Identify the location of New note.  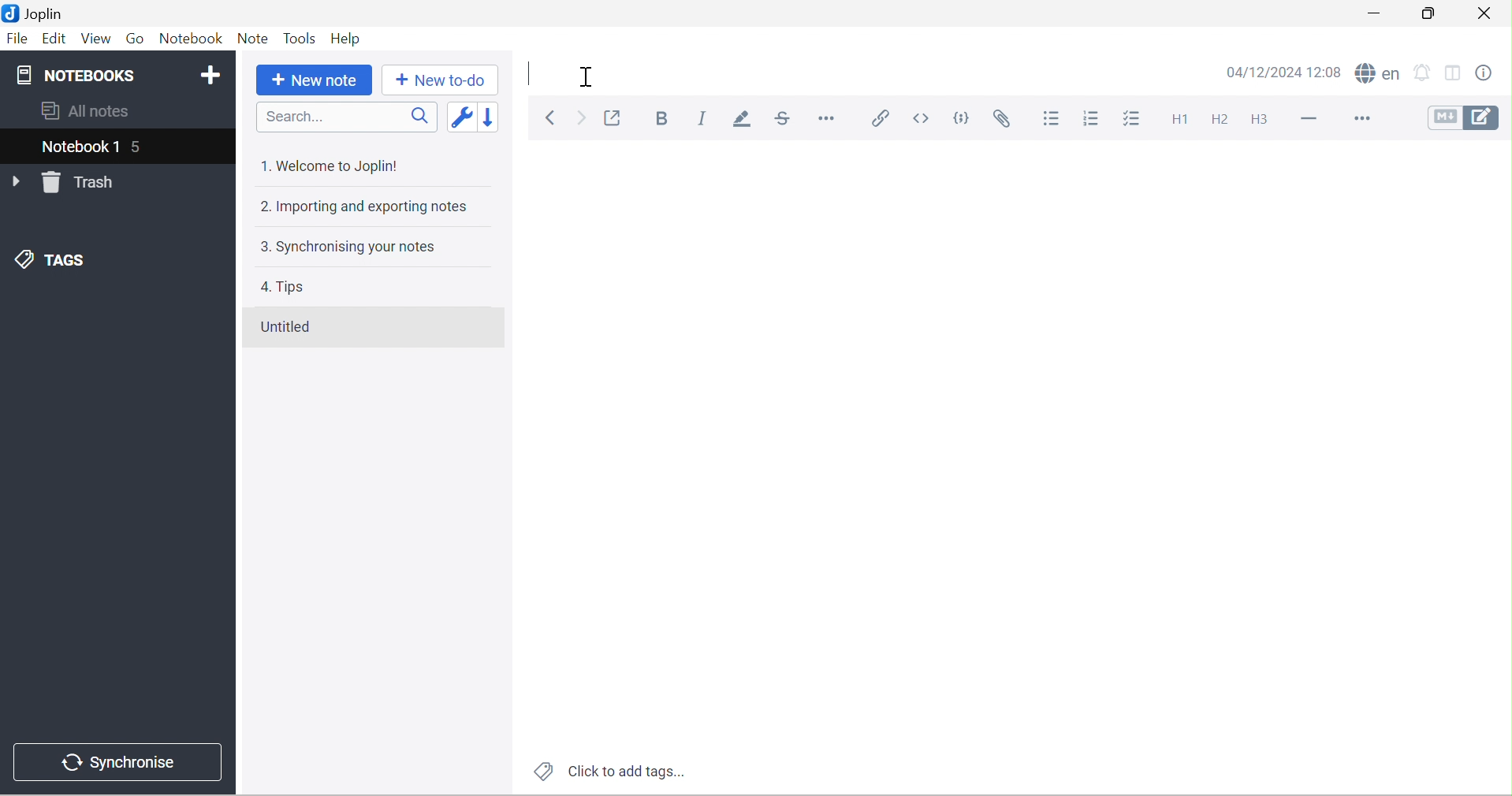
(312, 83).